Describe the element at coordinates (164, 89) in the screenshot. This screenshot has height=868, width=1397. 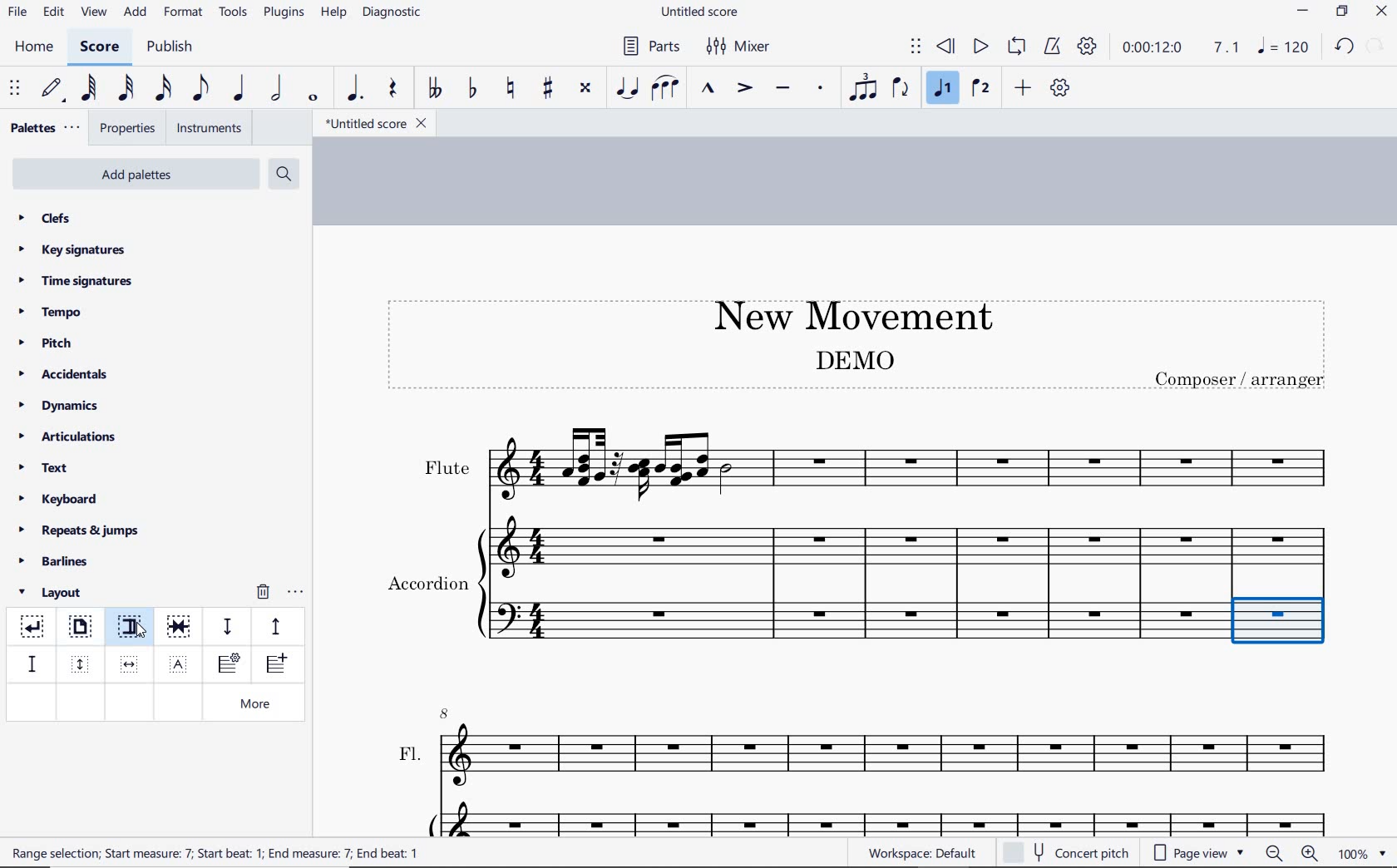
I see `16th note` at that location.